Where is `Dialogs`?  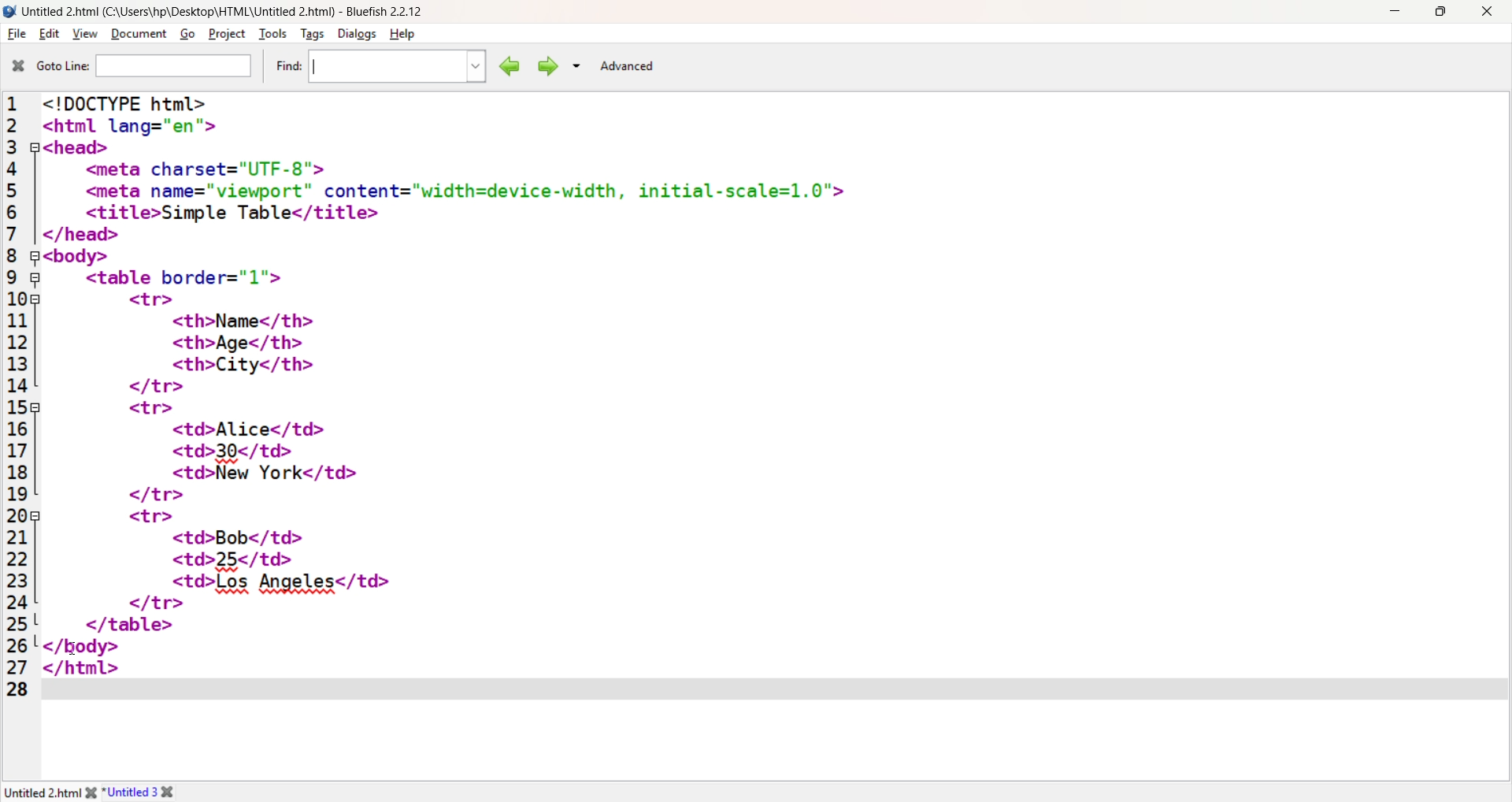 Dialogs is located at coordinates (355, 34).